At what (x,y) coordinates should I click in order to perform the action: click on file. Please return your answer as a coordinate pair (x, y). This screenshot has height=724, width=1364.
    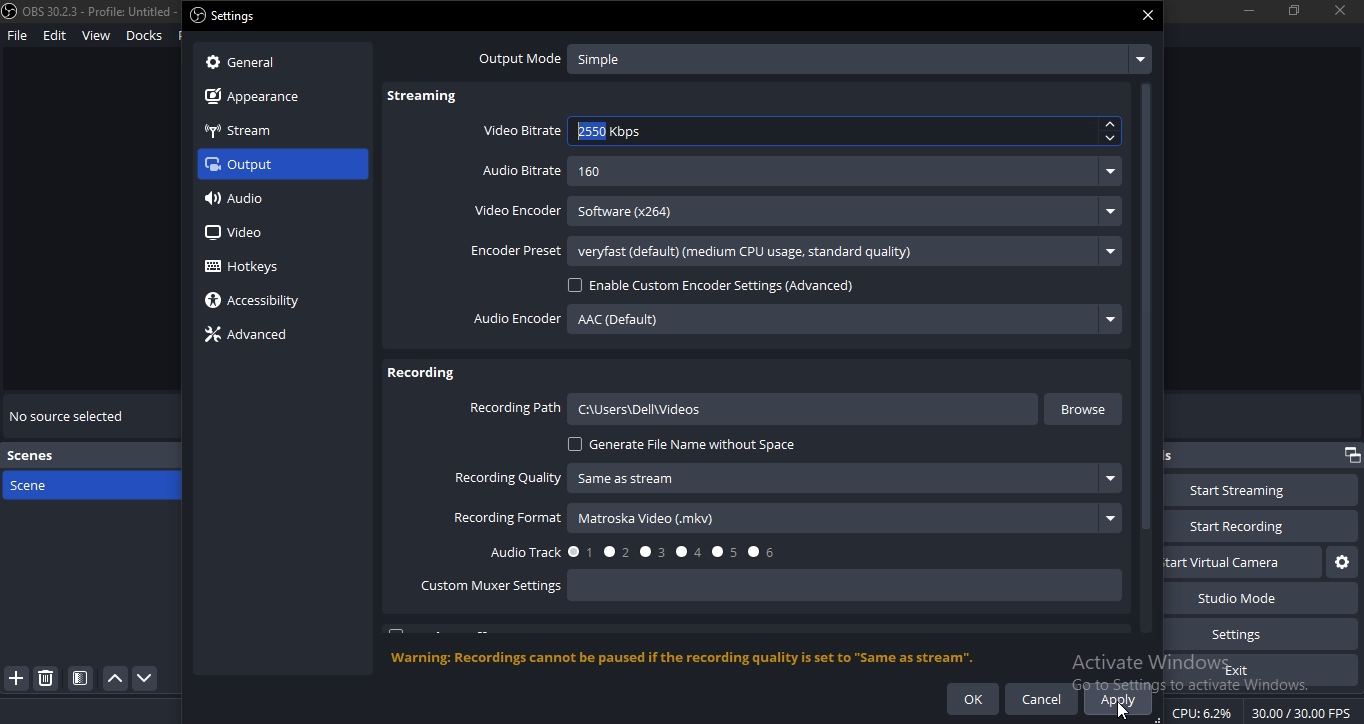
    Looking at the image, I should click on (17, 37).